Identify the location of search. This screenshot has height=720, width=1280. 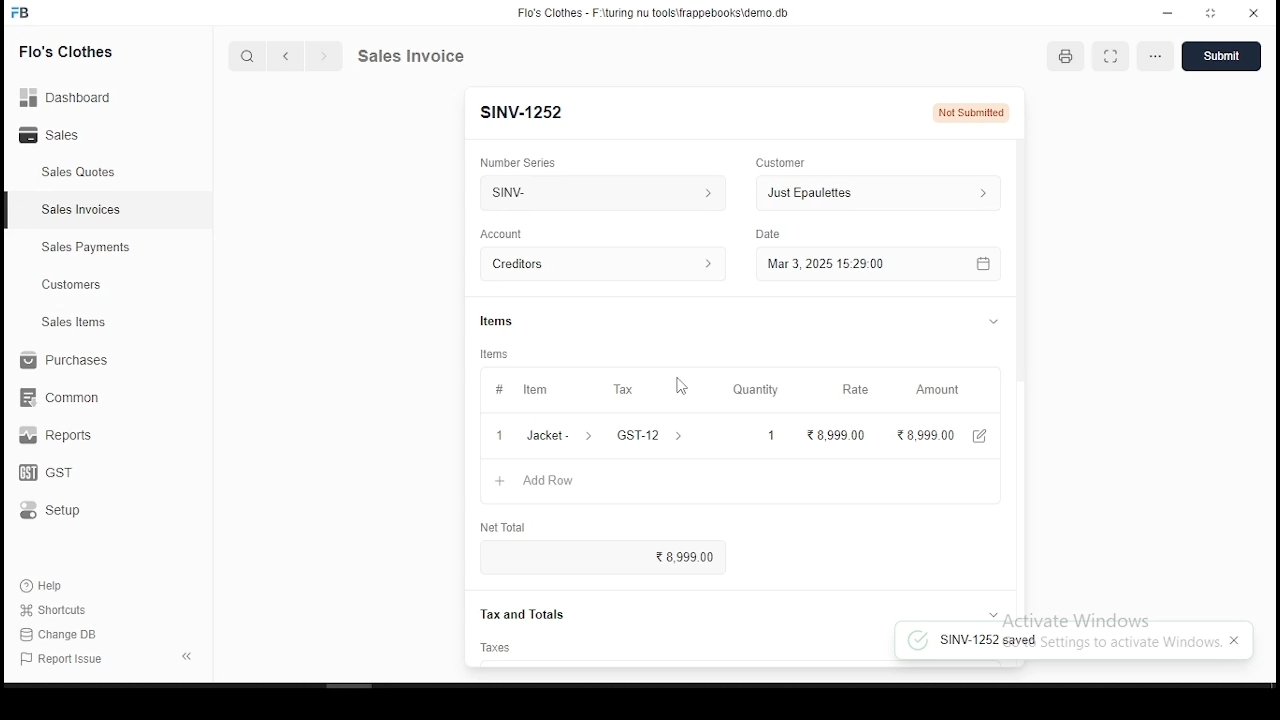
(247, 55).